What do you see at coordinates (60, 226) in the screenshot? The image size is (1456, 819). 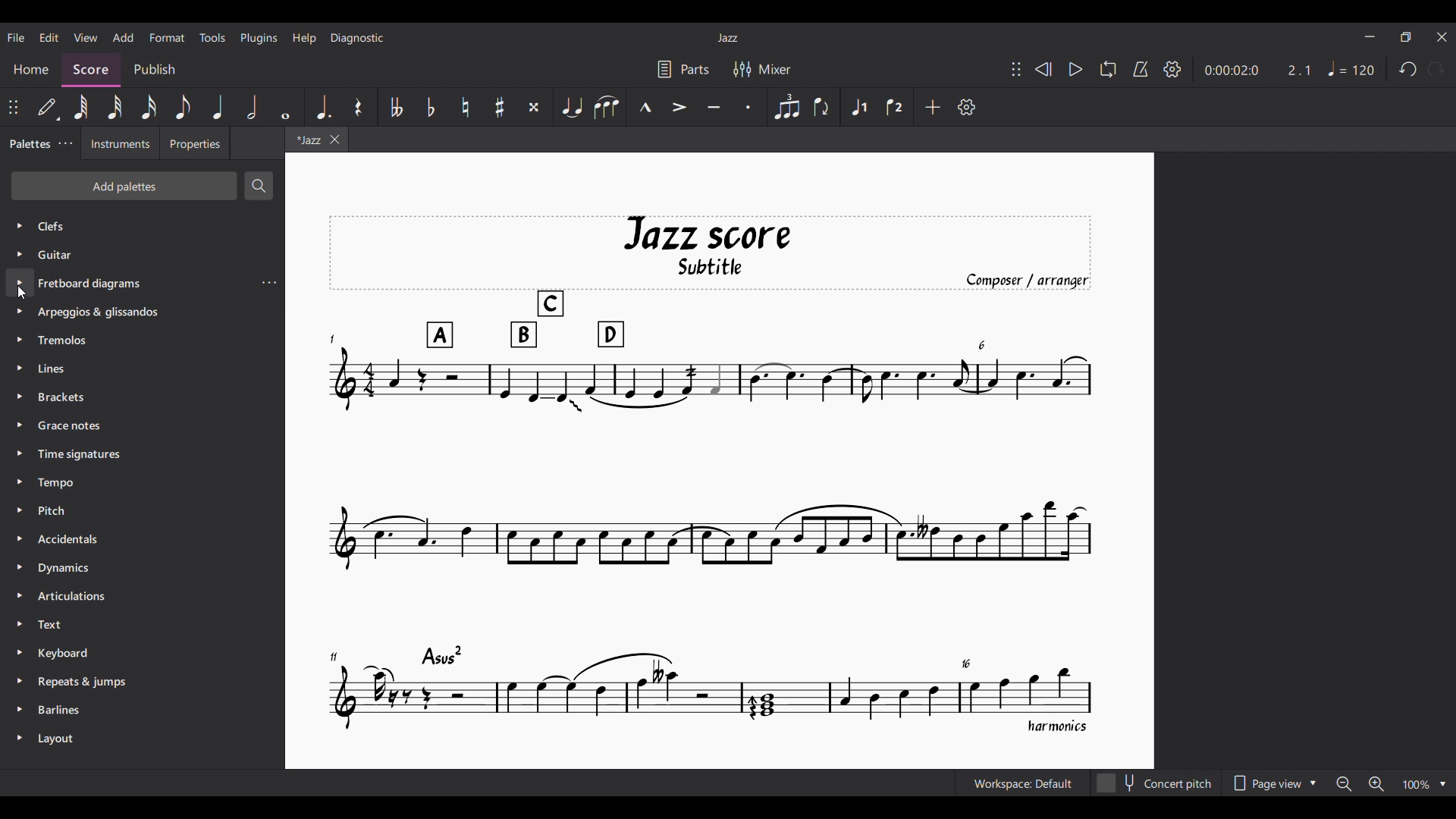 I see `Palette options` at bounding box center [60, 226].